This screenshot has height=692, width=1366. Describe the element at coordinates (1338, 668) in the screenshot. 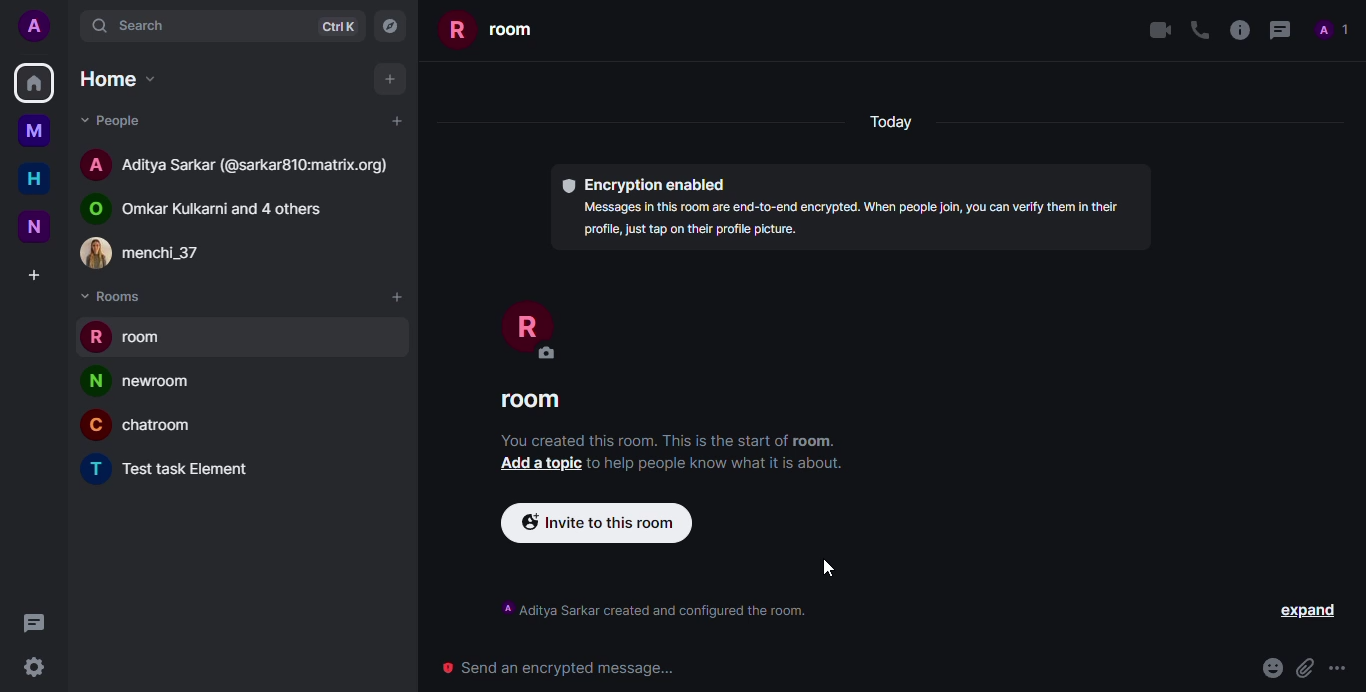

I see `more` at that location.